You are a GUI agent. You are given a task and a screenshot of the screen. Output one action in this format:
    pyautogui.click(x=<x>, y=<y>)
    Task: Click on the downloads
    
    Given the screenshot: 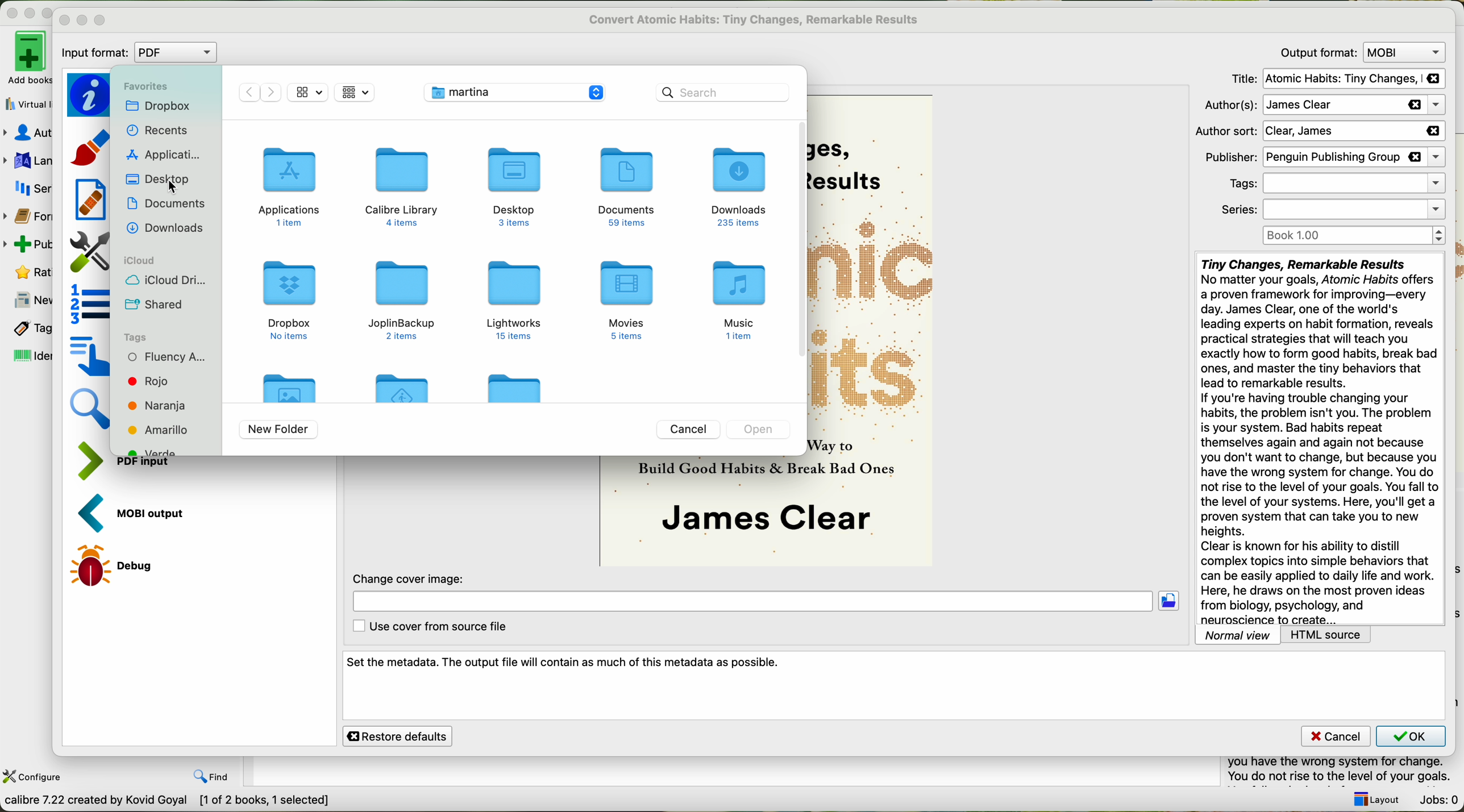 What is the action you would take?
    pyautogui.click(x=165, y=229)
    